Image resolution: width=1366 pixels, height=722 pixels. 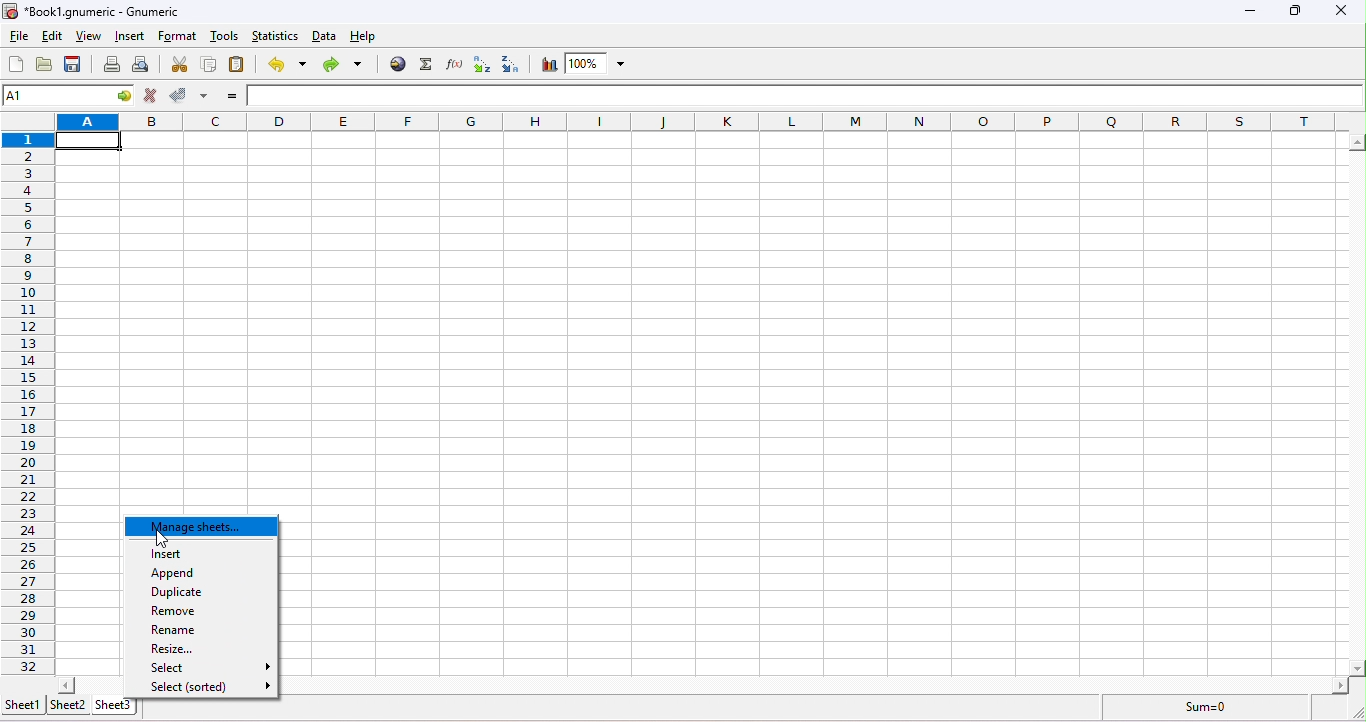 What do you see at coordinates (205, 66) in the screenshot?
I see `copy` at bounding box center [205, 66].